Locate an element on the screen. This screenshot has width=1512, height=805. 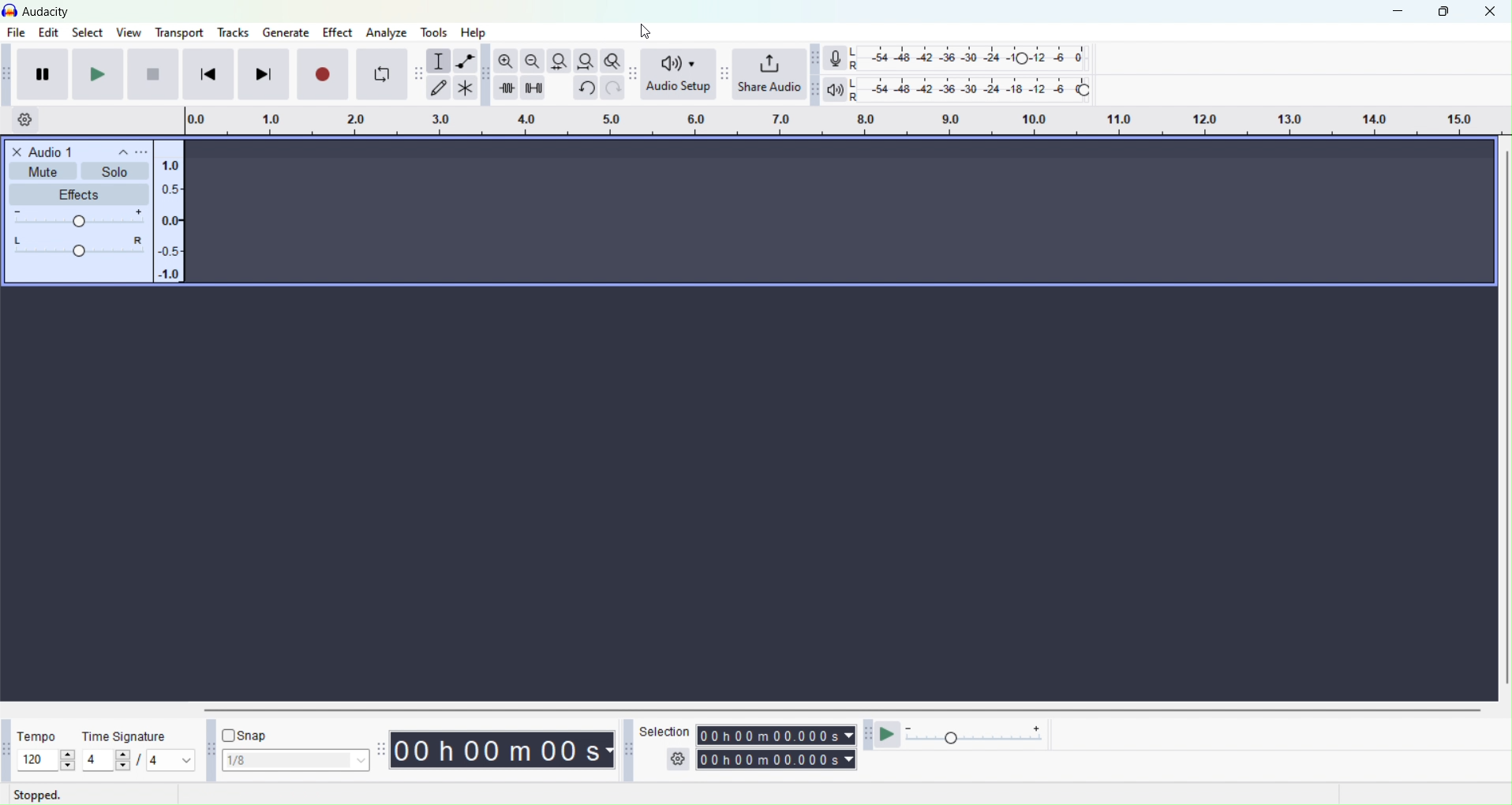
cursor is located at coordinates (646, 32).